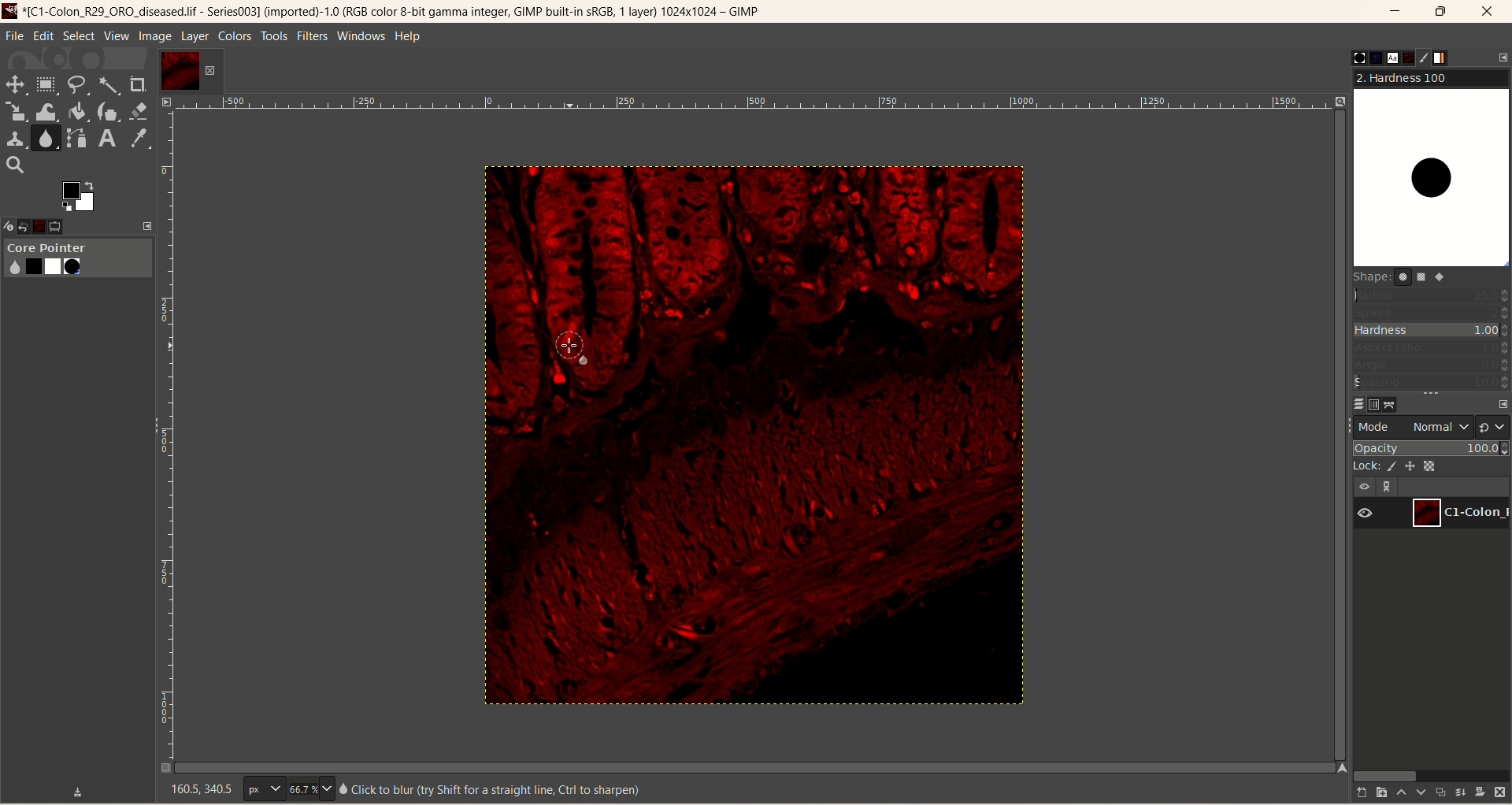  I want to click on edit, so click(43, 35).